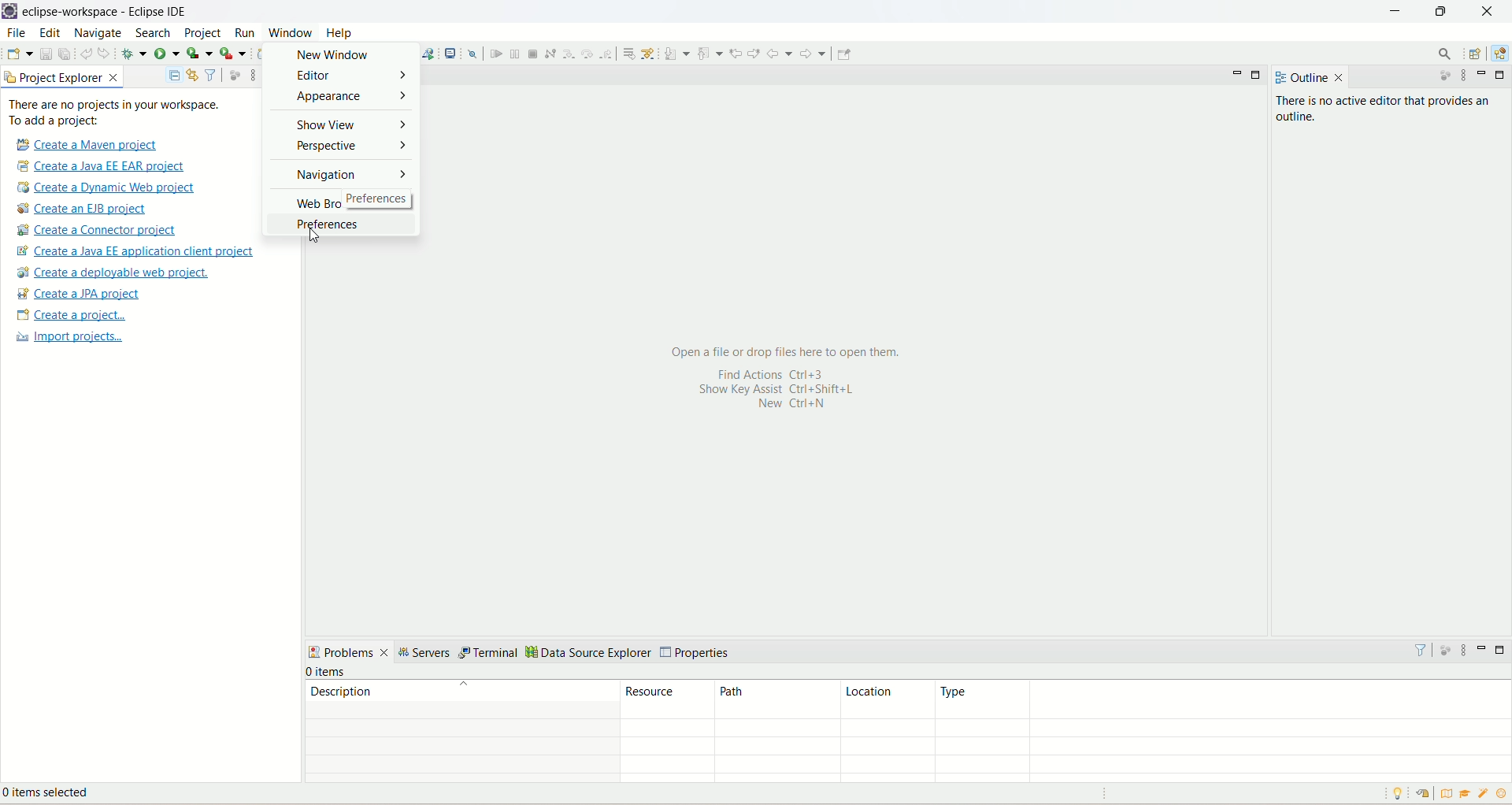 The height and width of the screenshot is (805, 1512). Describe the element at coordinates (780, 54) in the screenshot. I see `back` at that location.